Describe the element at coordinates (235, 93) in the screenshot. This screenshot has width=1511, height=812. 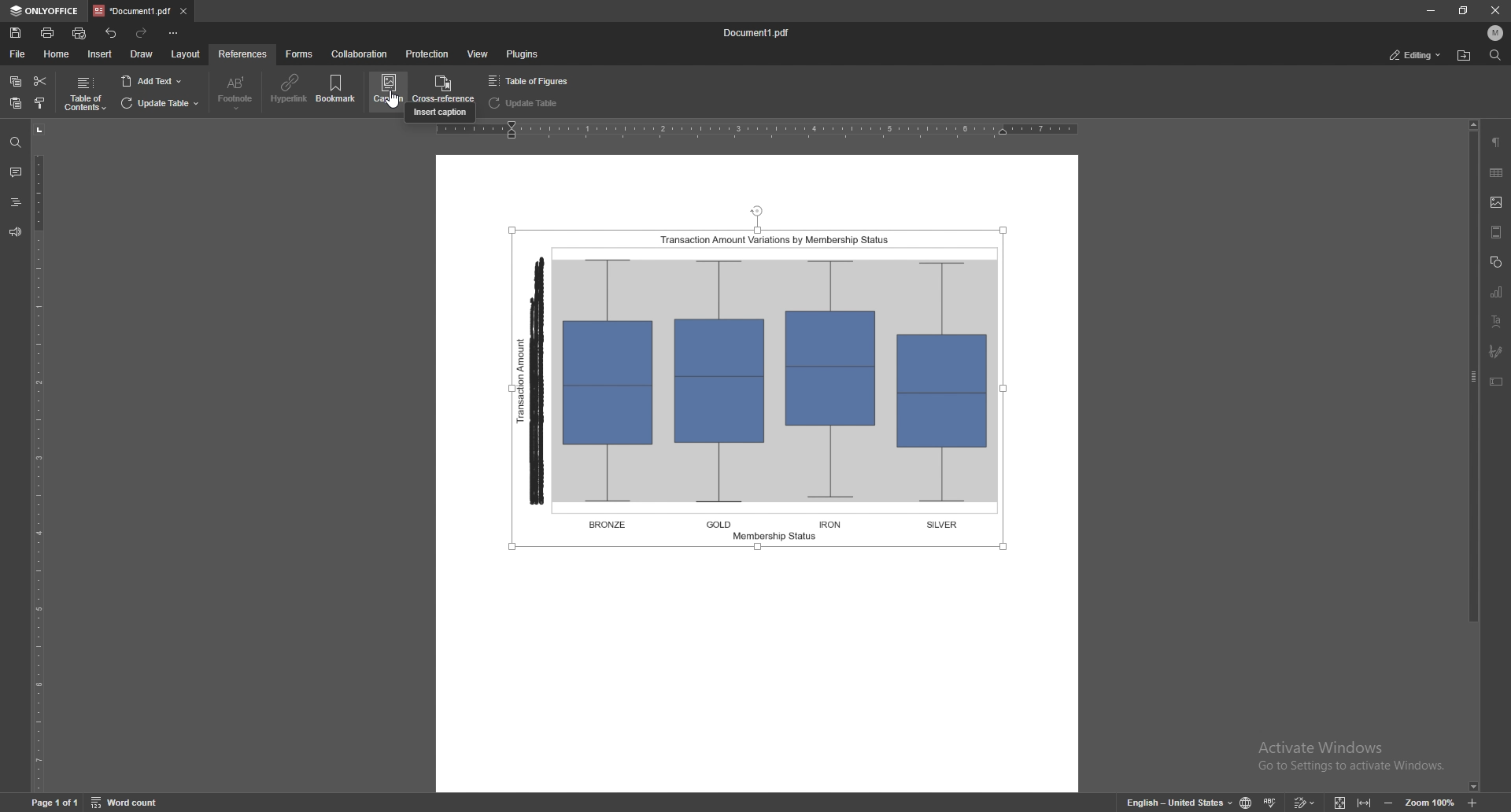
I see `footnote` at that location.